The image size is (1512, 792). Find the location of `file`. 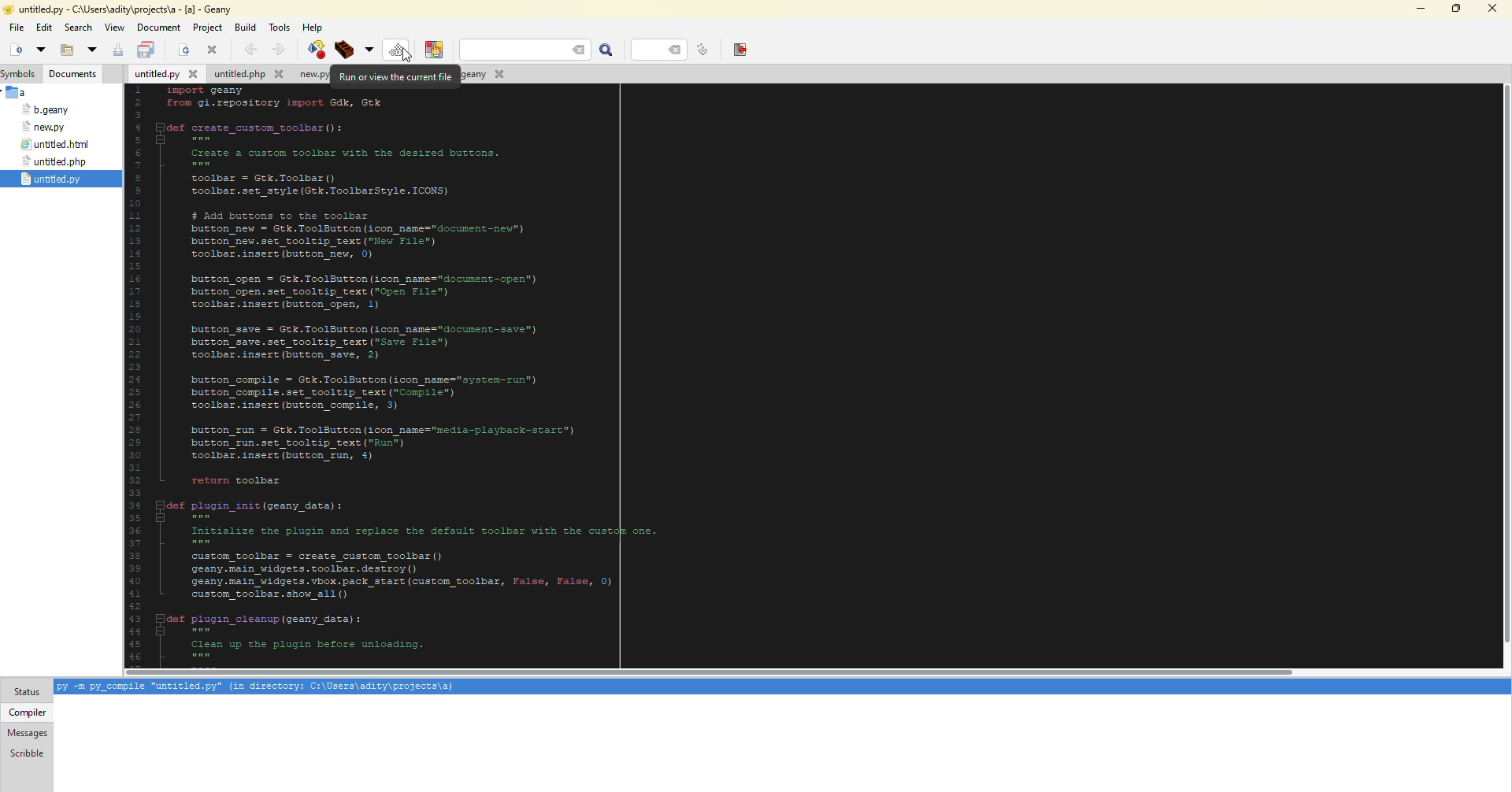

file is located at coordinates (57, 161).